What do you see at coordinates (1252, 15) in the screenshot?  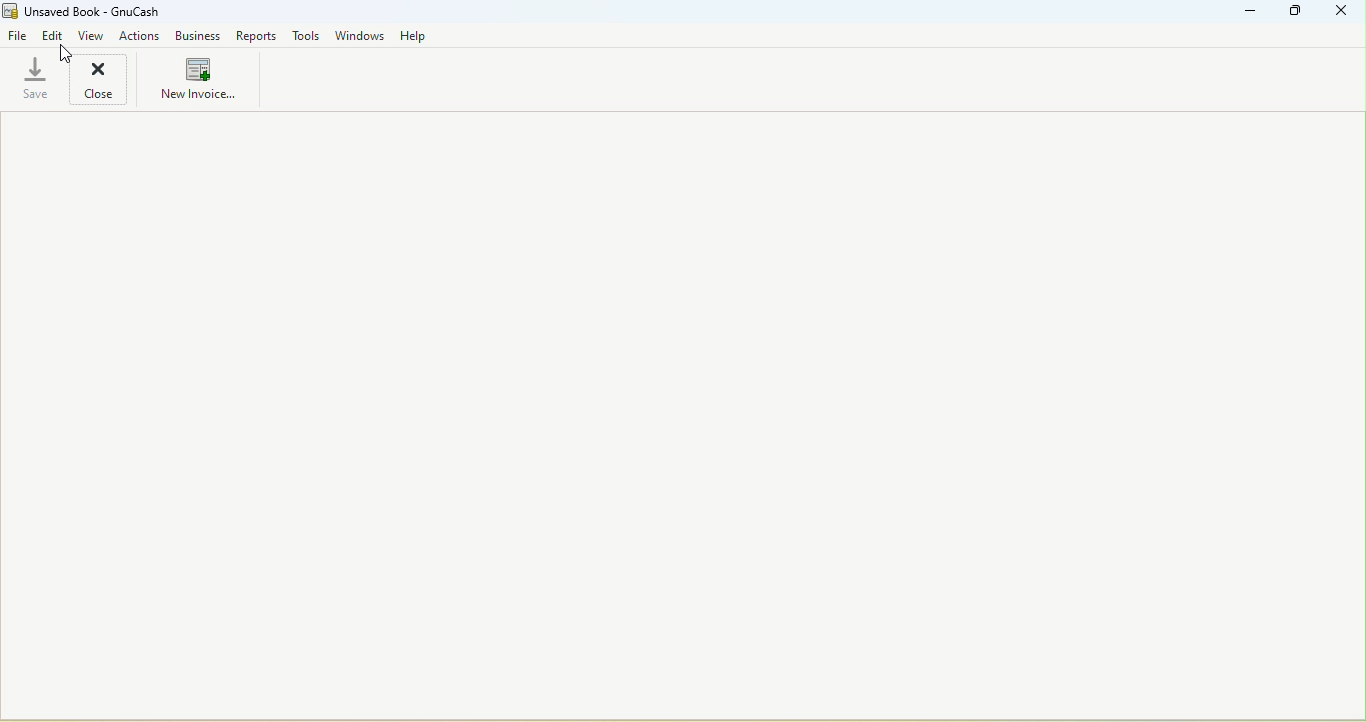 I see `Minimize` at bounding box center [1252, 15].